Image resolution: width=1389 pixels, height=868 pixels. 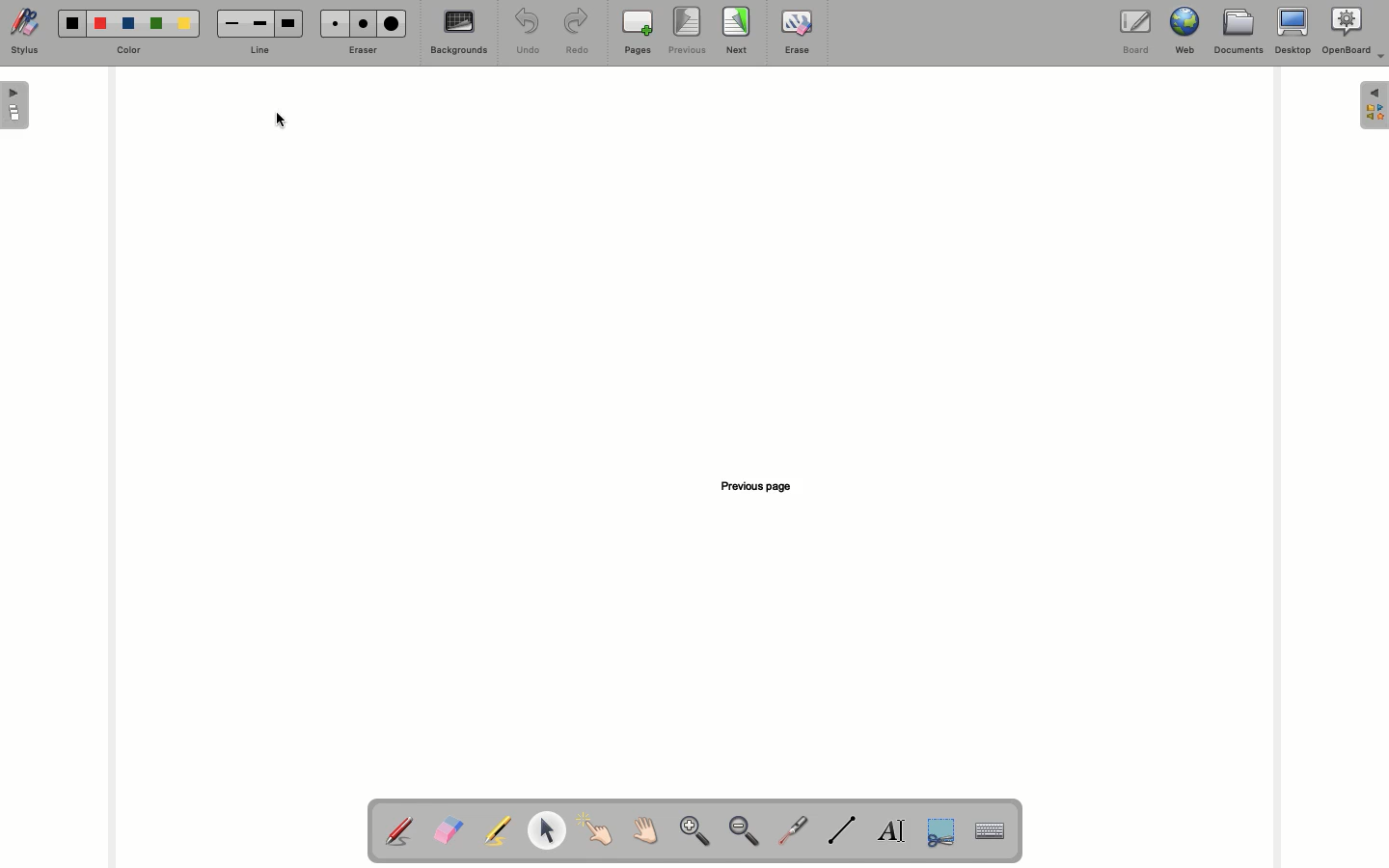 I want to click on Highlight, so click(x=494, y=830).